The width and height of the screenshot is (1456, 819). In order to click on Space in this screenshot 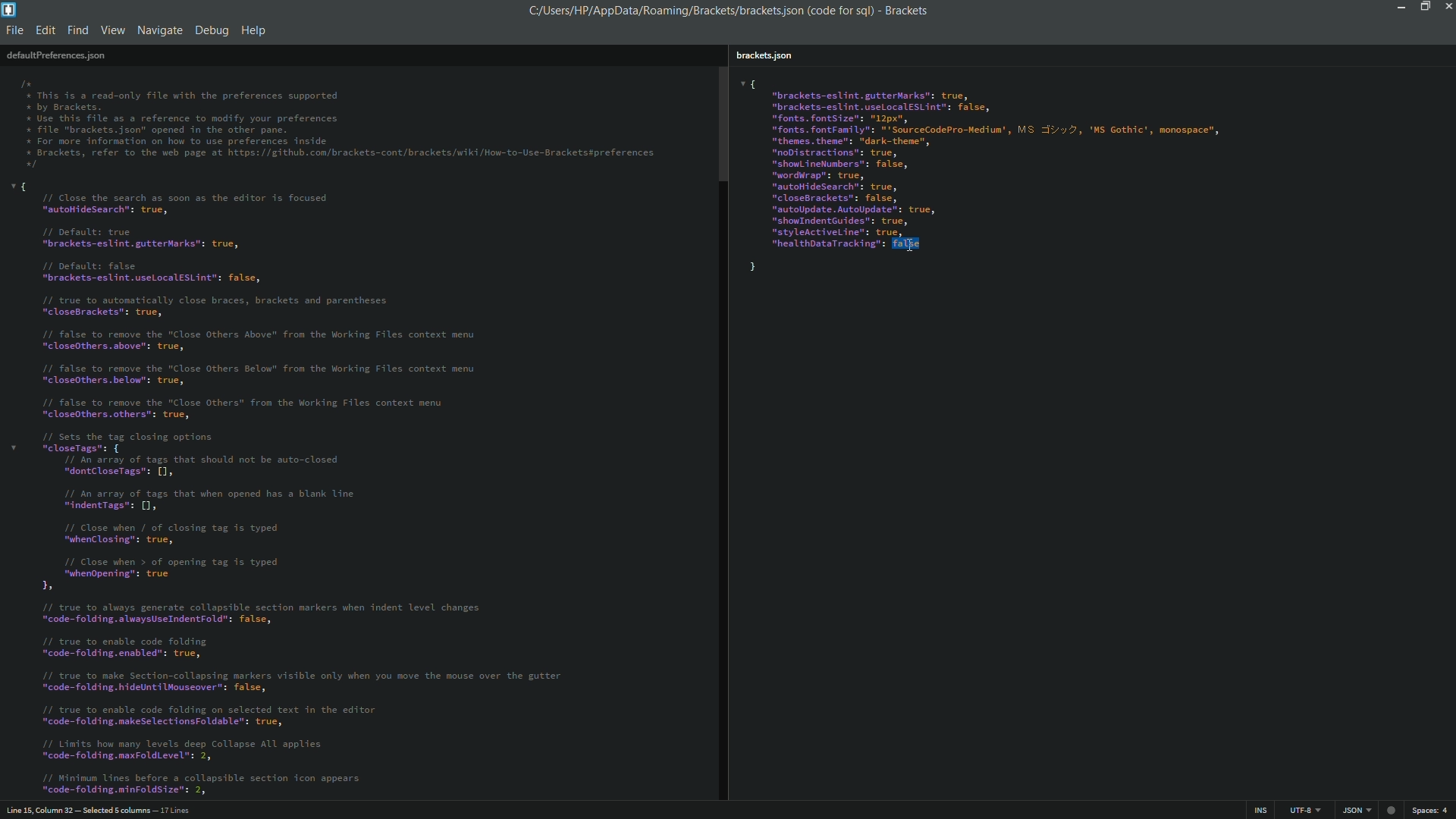, I will do `click(1433, 811)`.